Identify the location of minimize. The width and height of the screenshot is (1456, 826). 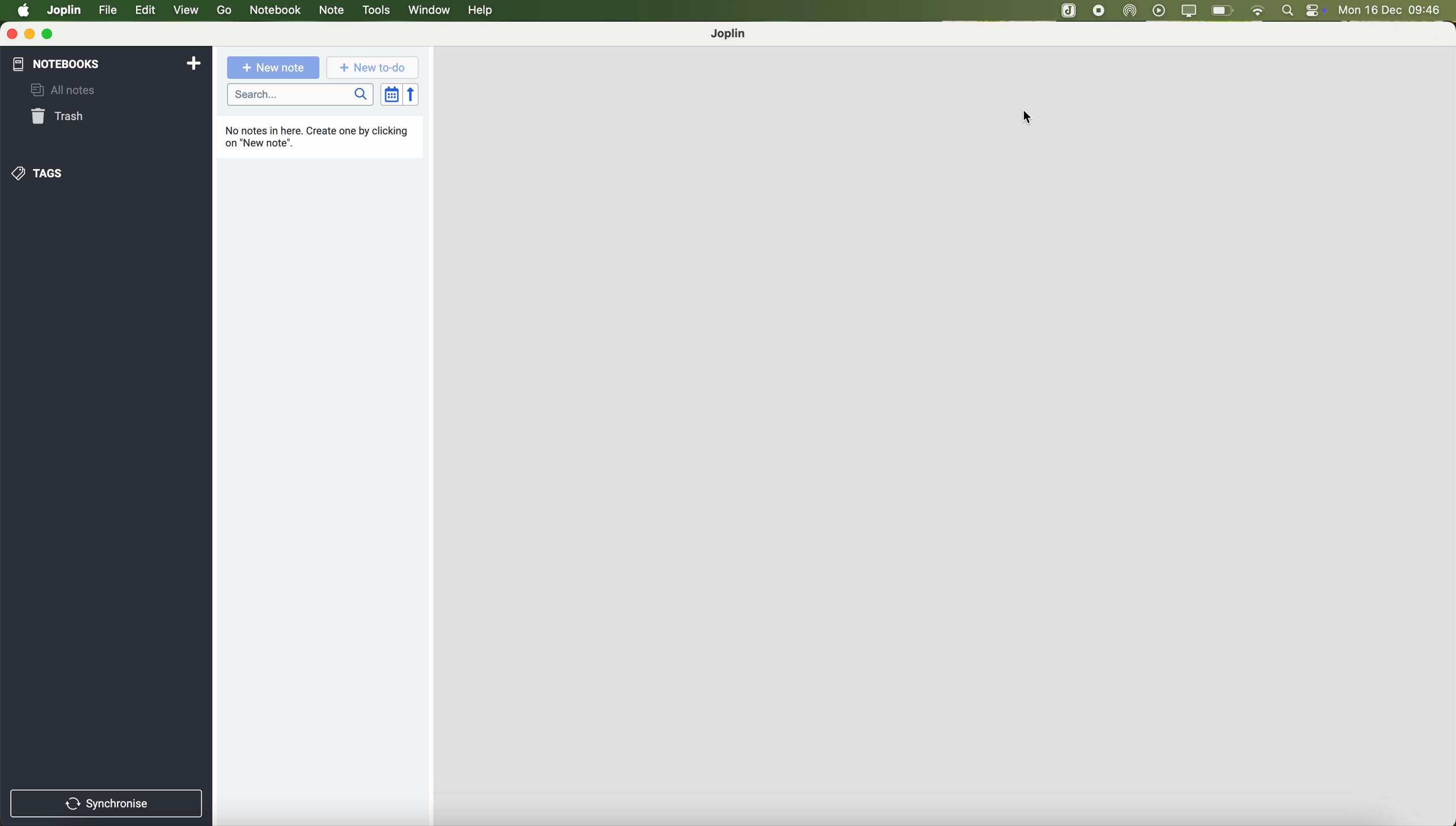
(30, 35).